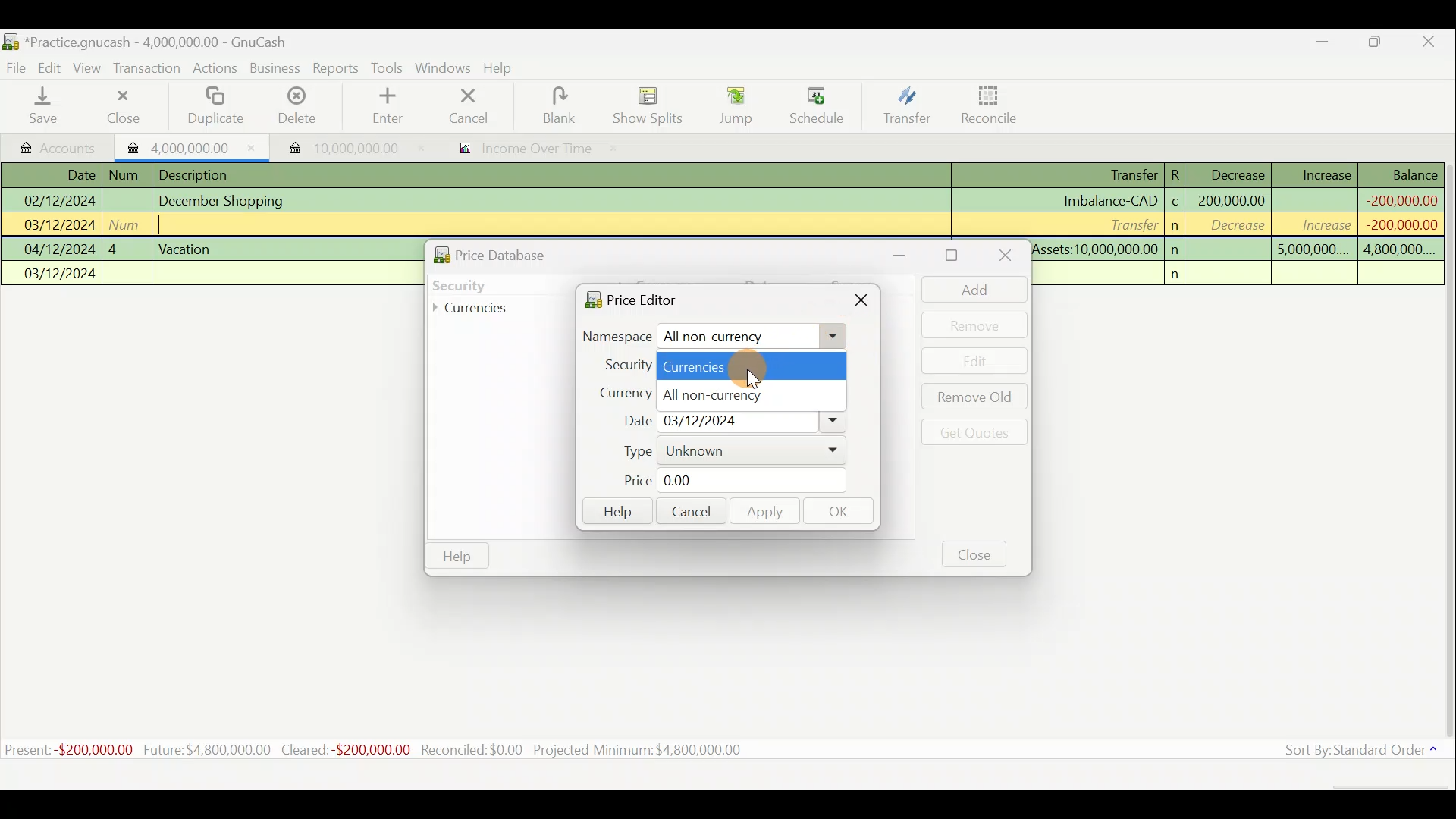 The image size is (1456, 819). I want to click on Close, so click(1433, 42).